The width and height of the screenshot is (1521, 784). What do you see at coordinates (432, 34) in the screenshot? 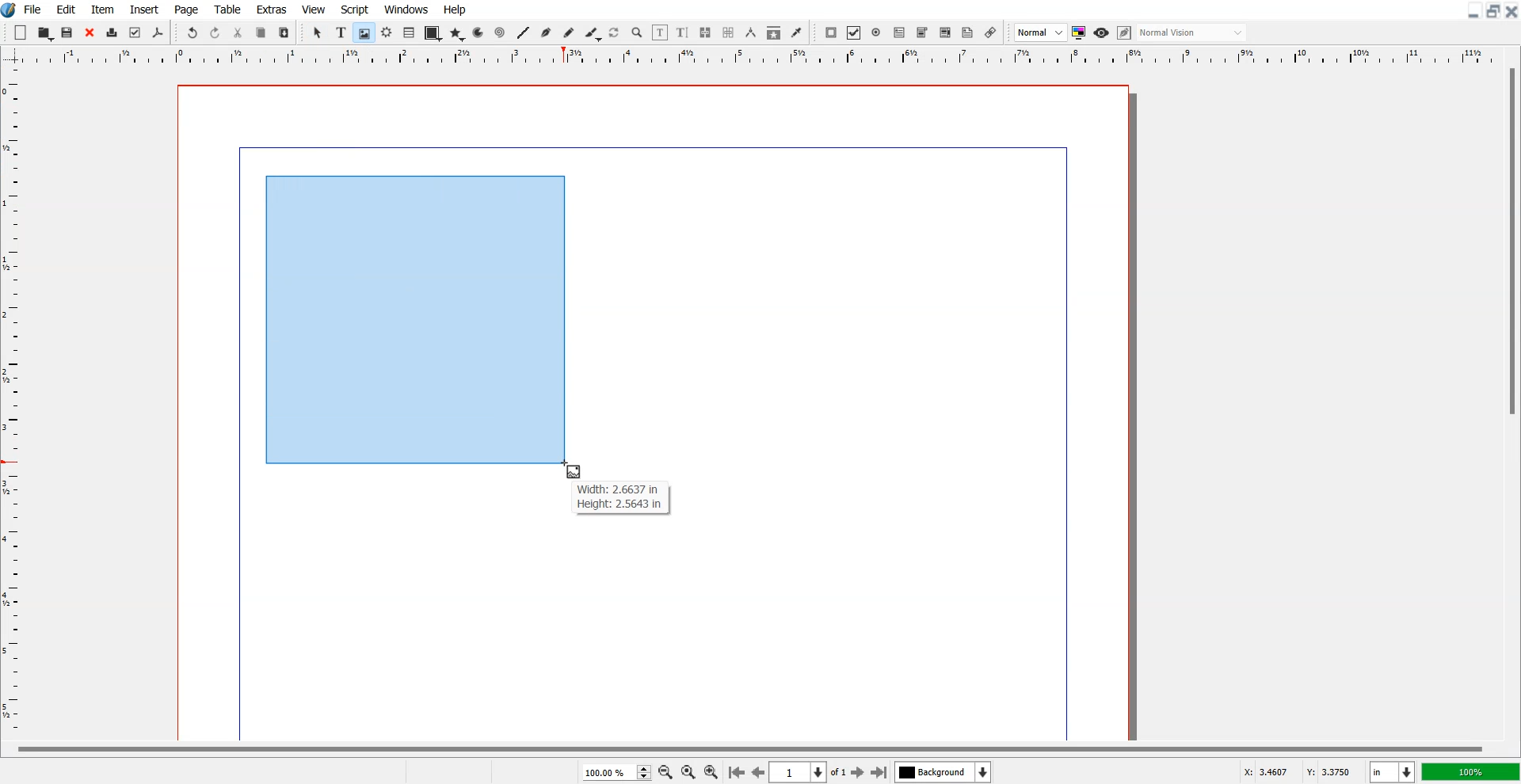
I see `Shape` at bounding box center [432, 34].